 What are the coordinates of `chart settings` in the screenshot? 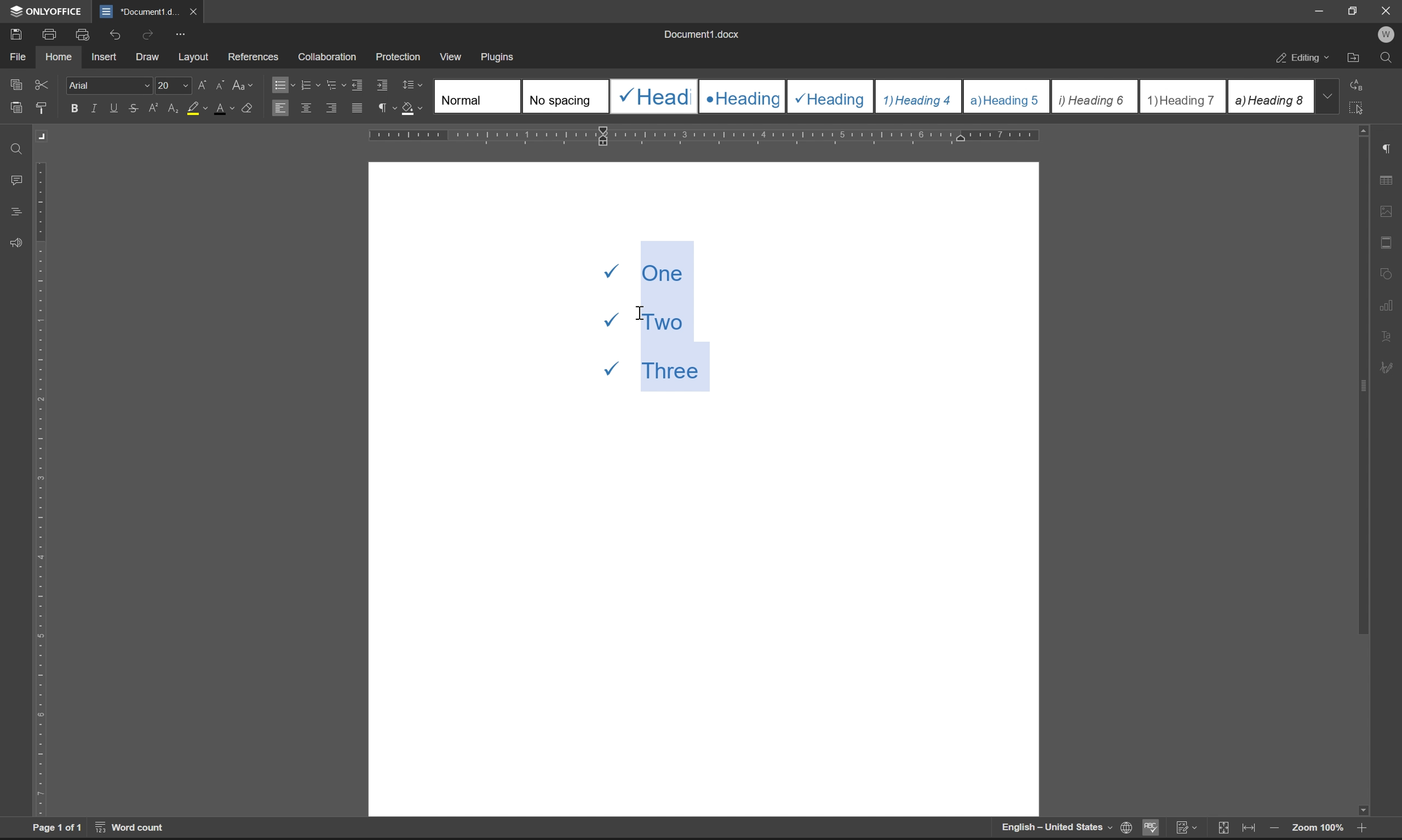 It's located at (1387, 302).